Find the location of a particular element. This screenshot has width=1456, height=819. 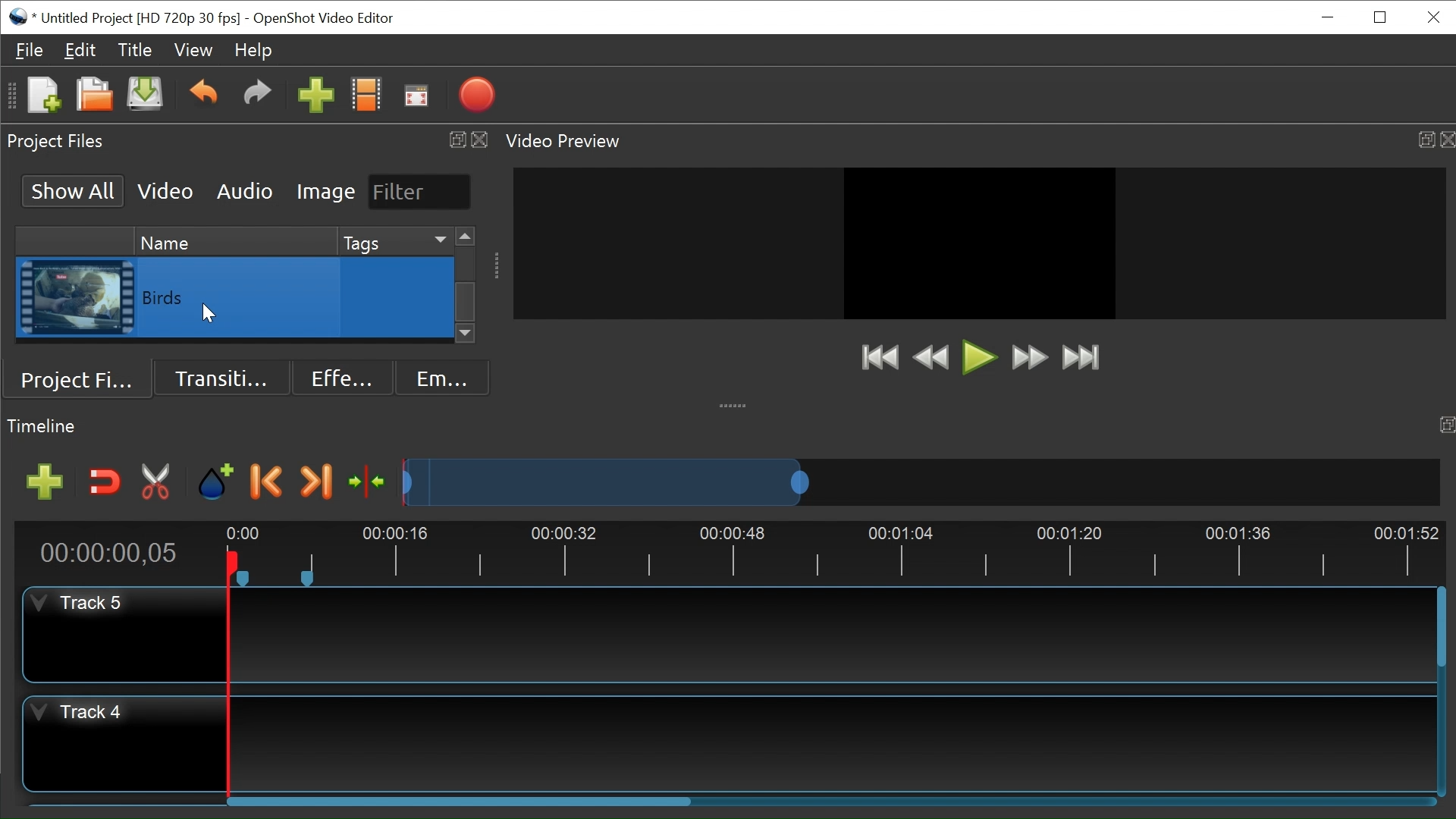

View is located at coordinates (194, 50).